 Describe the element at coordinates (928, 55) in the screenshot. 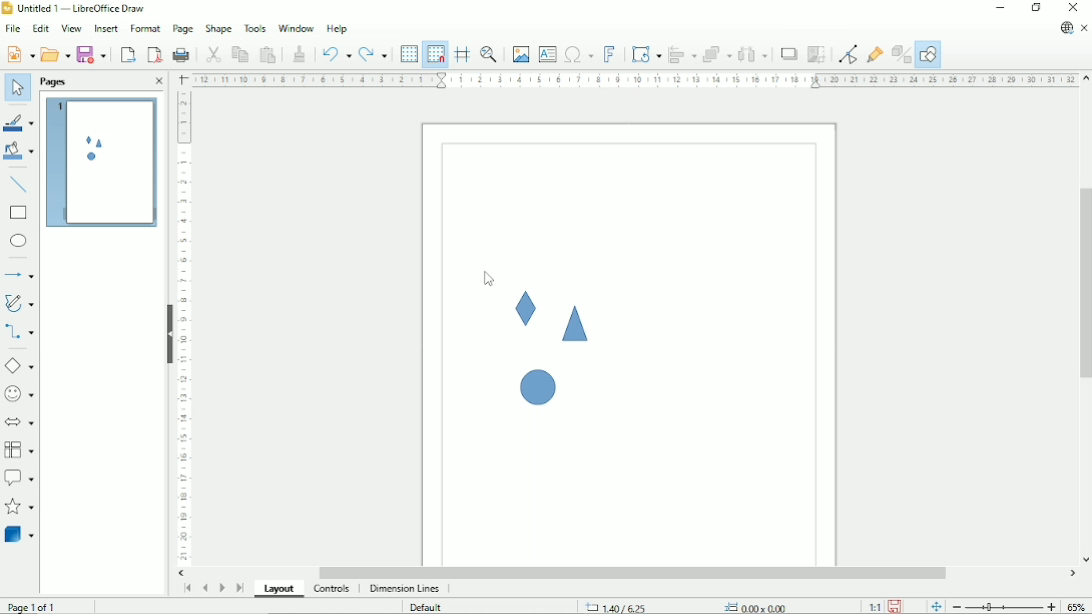

I see `Show draw functions` at that location.